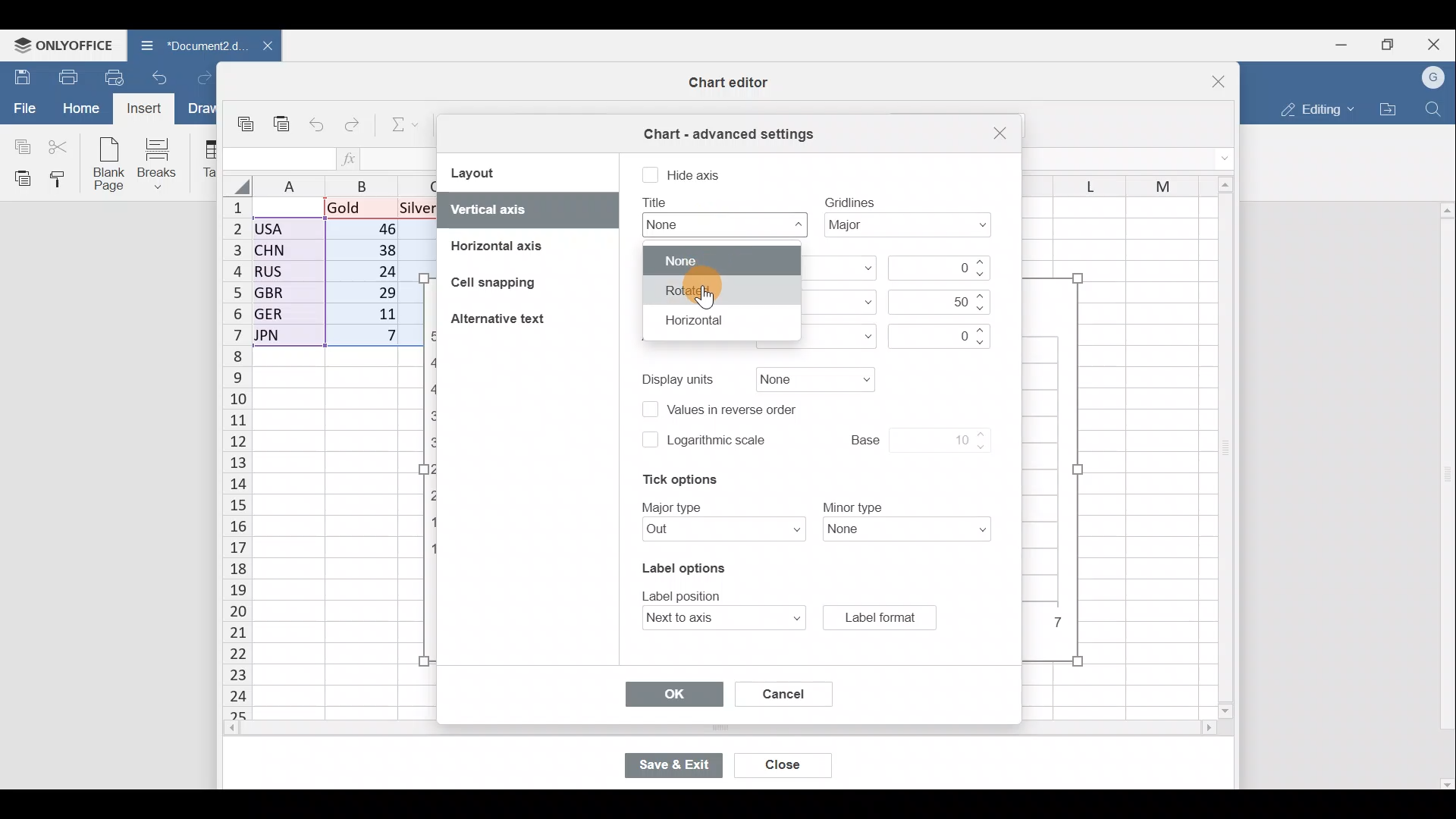 The width and height of the screenshot is (1456, 819). What do you see at coordinates (672, 765) in the screenshot?
I see `Save & exit` at bounding box center [672, 765].